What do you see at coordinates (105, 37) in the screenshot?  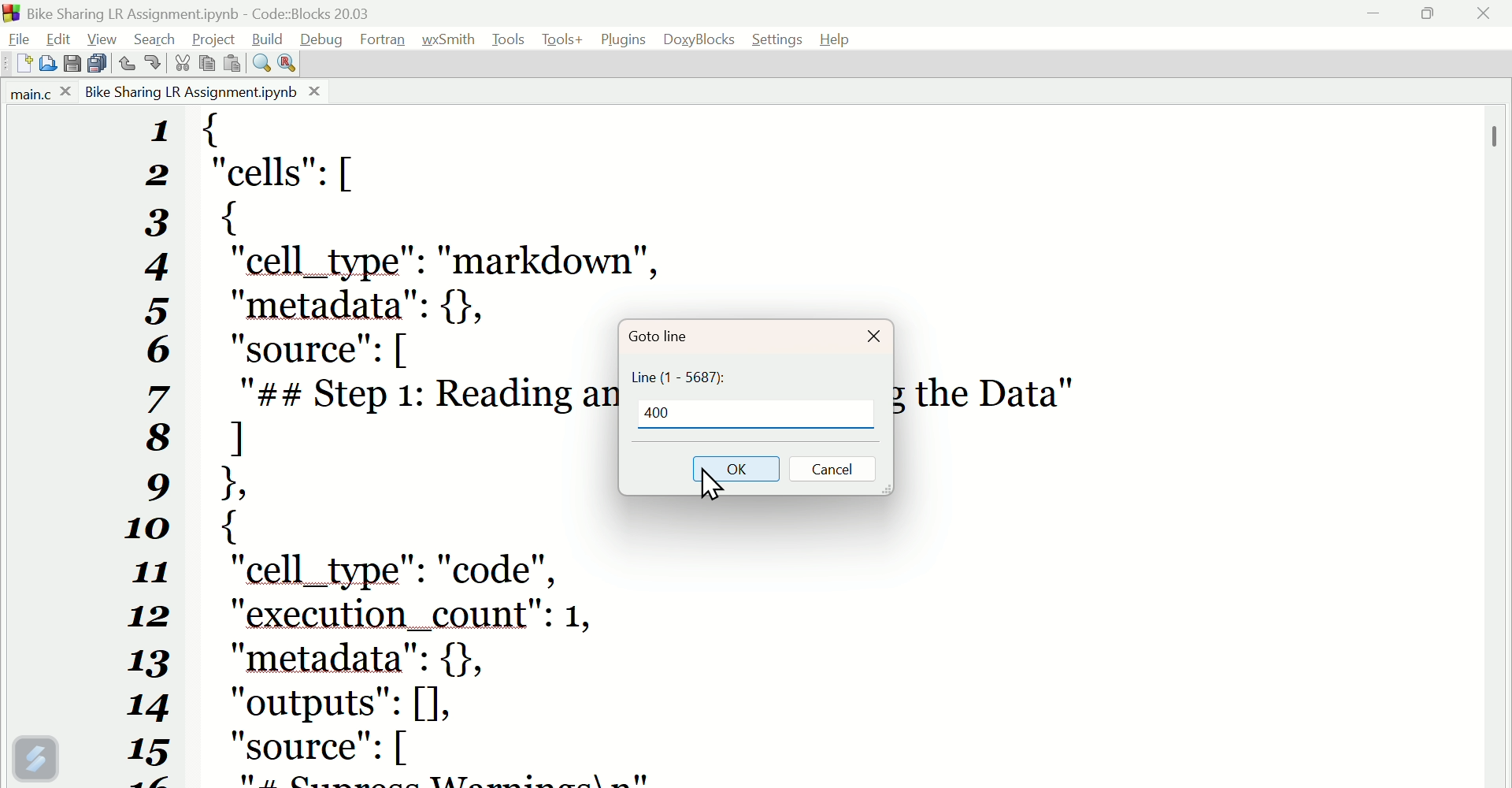 I see `View` at bounding box center [105, 37].